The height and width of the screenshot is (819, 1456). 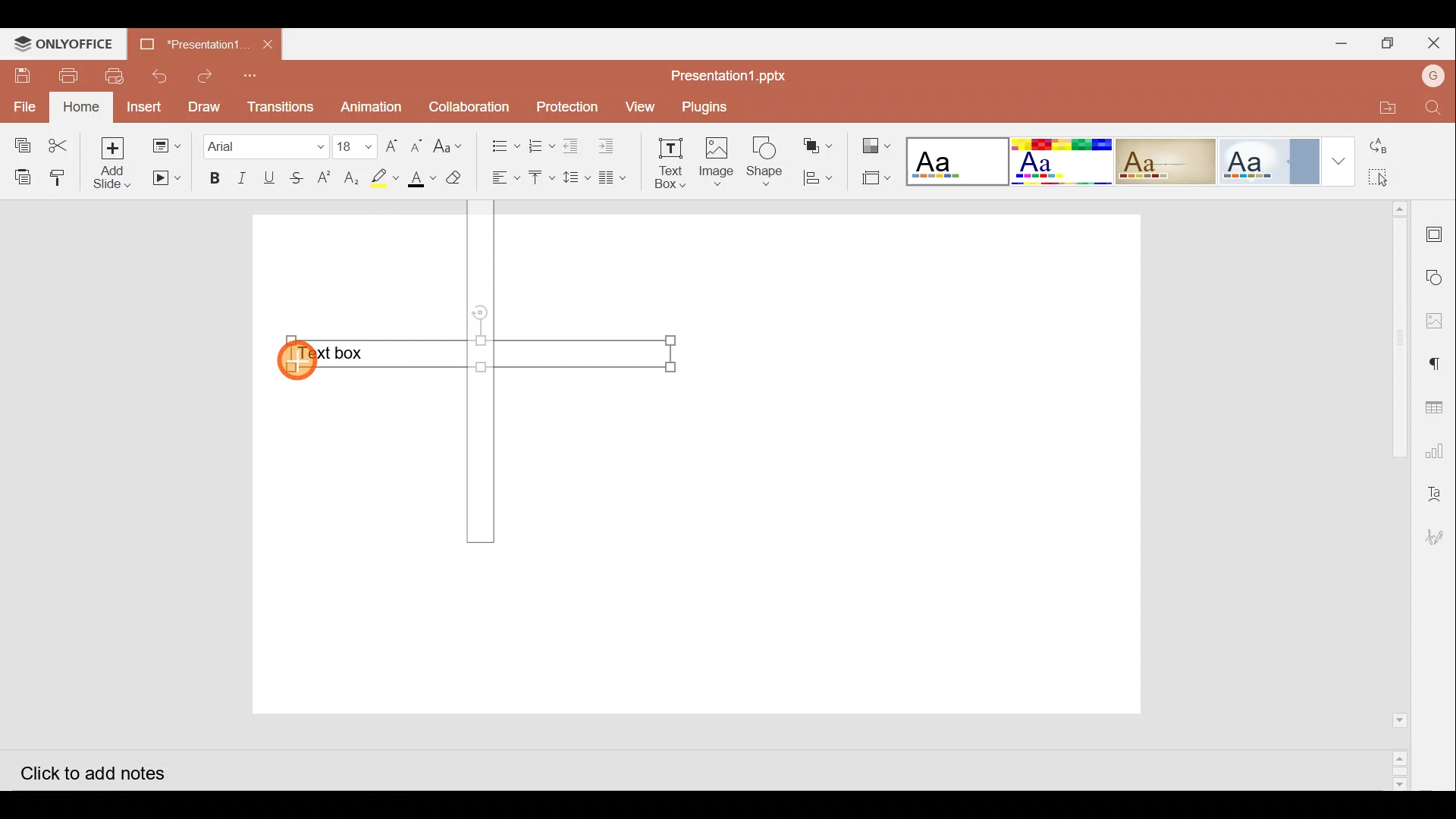 I want to click on Insert text box, so click(x=667, y=163).